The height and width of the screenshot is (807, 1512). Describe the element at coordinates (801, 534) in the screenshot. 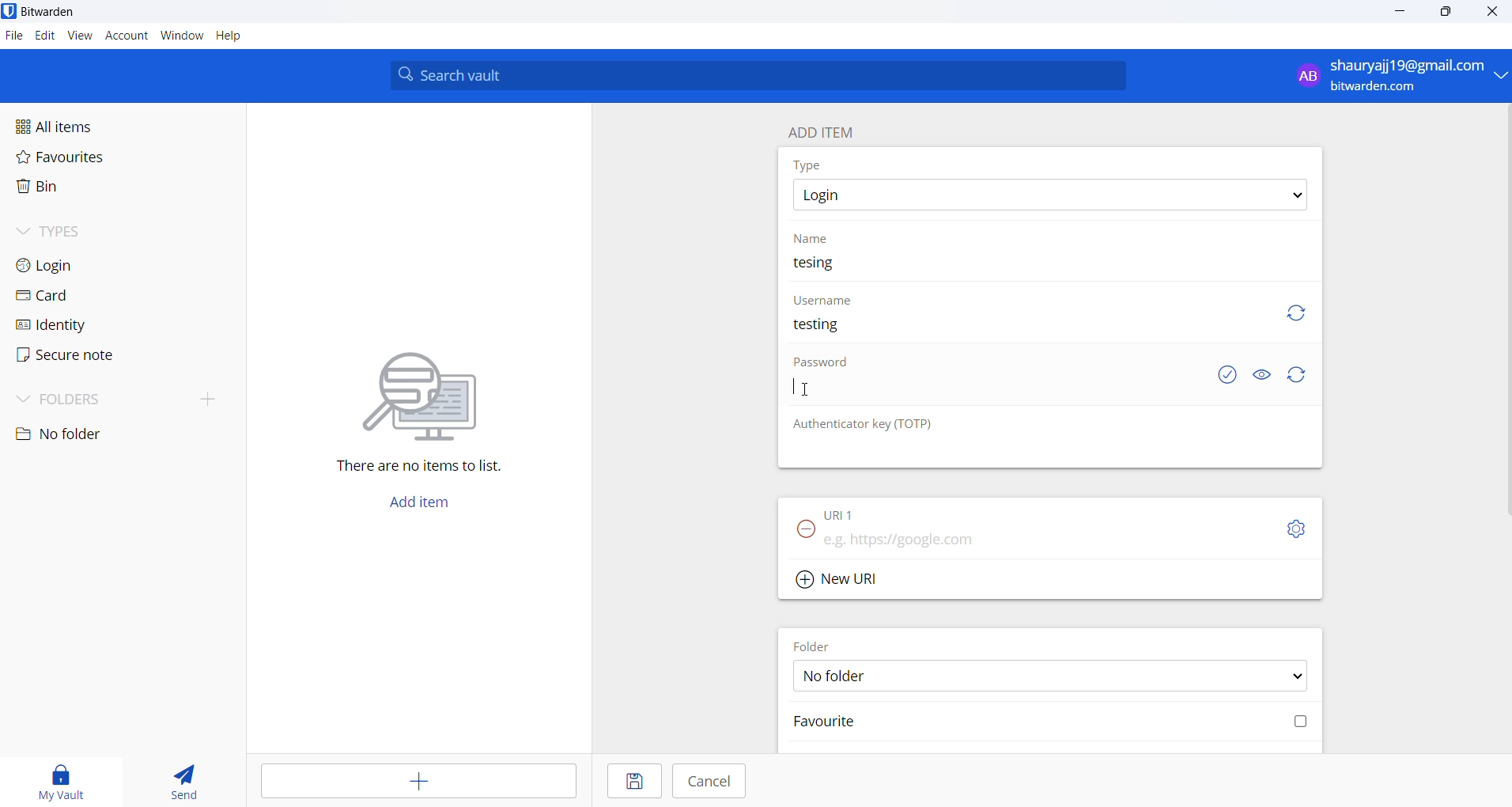

I see `Remove URL` at that location.